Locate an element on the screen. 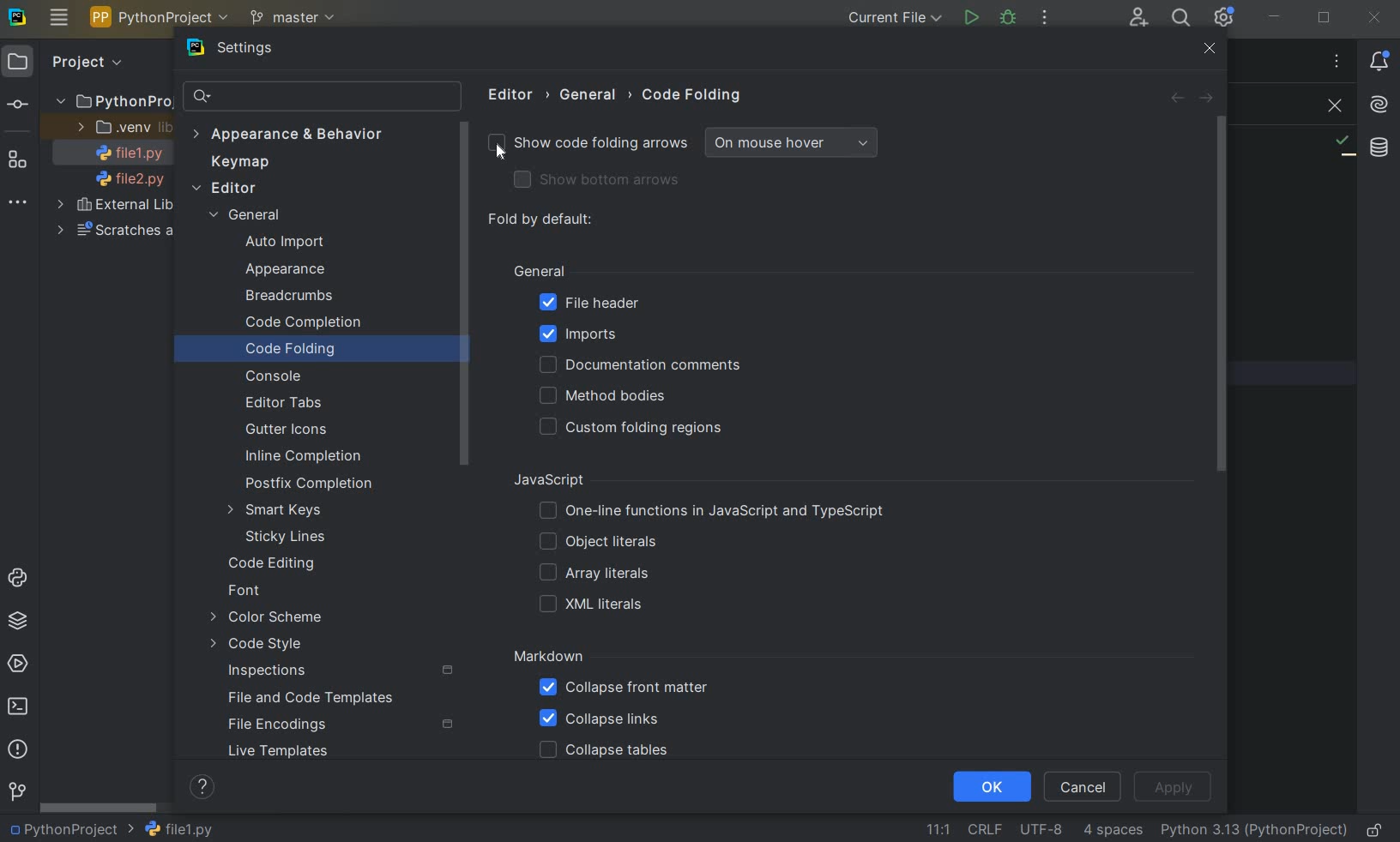 The image size is (1400, 842). PythonProject is located at coordinates (113, 102).